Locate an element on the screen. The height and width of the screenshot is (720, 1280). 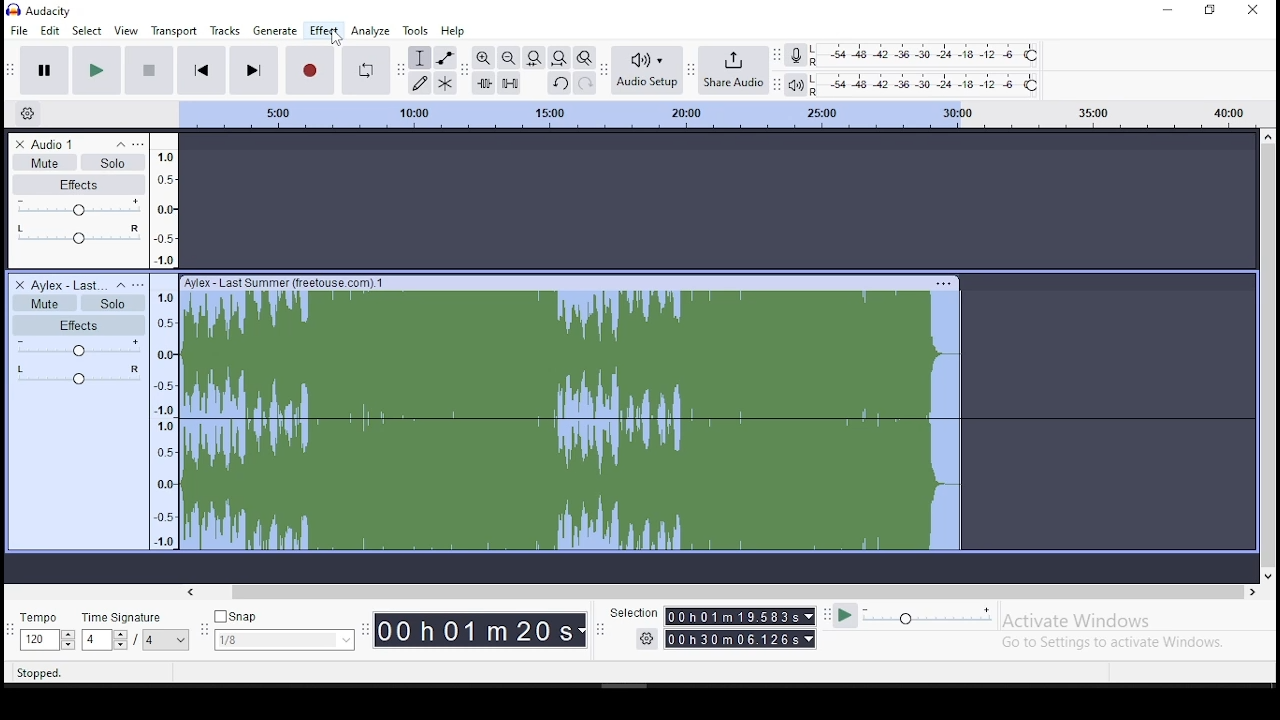
volume is located at coordinates (77, 348).